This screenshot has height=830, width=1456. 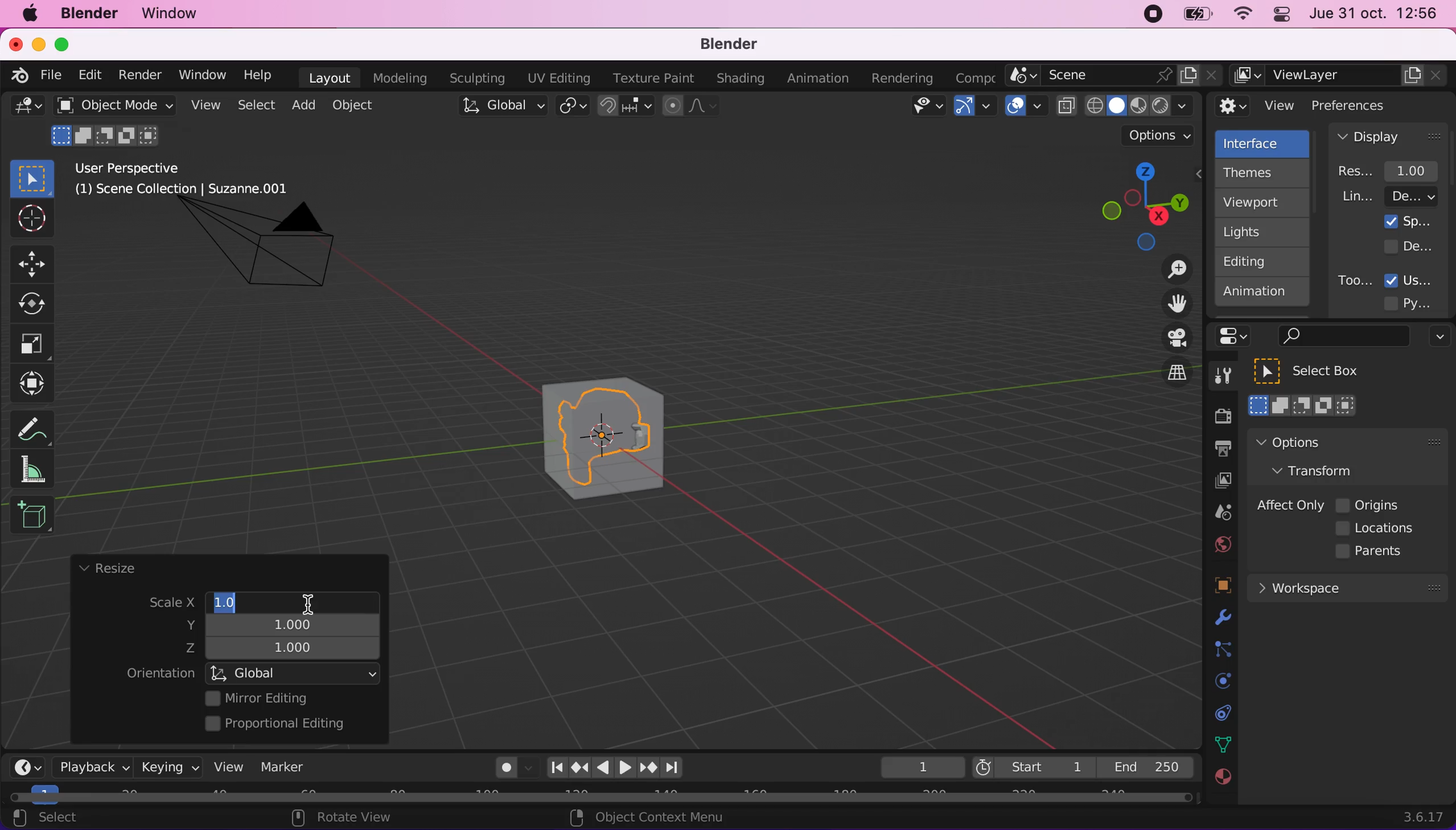 What do you see at coordinates (49, 75) in the screenshot?
I see `file` at bounding box center [49, 75].